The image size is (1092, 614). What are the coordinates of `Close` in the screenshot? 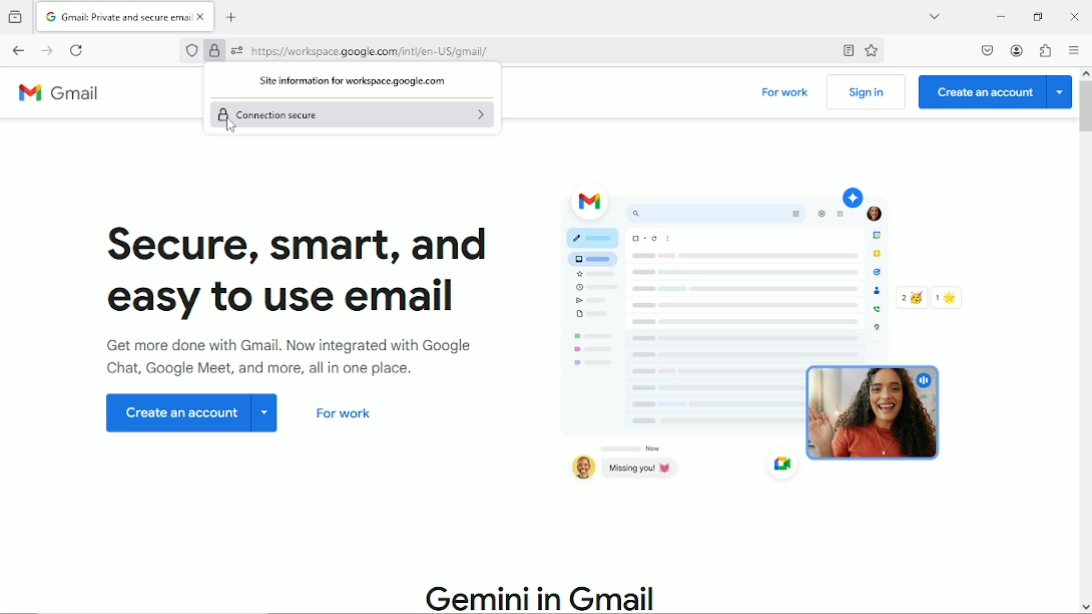 It's located at (1073, 14).